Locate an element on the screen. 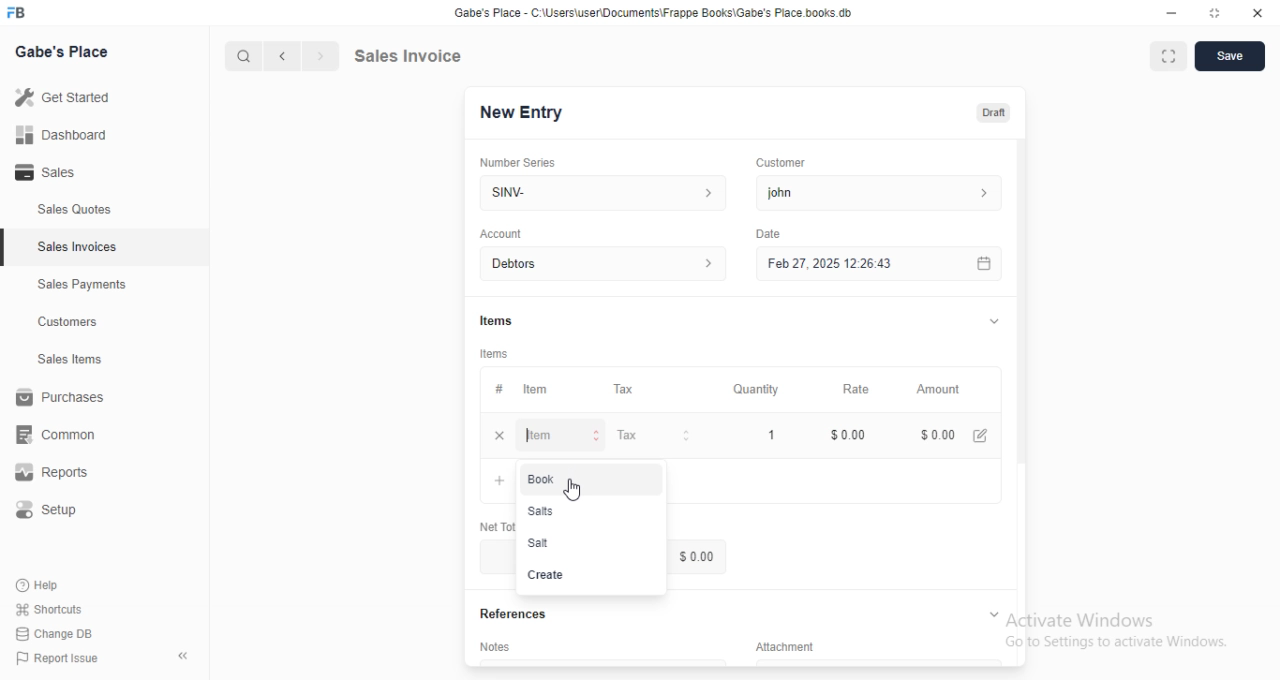  $0.00 is located at coordinates (849, 434).